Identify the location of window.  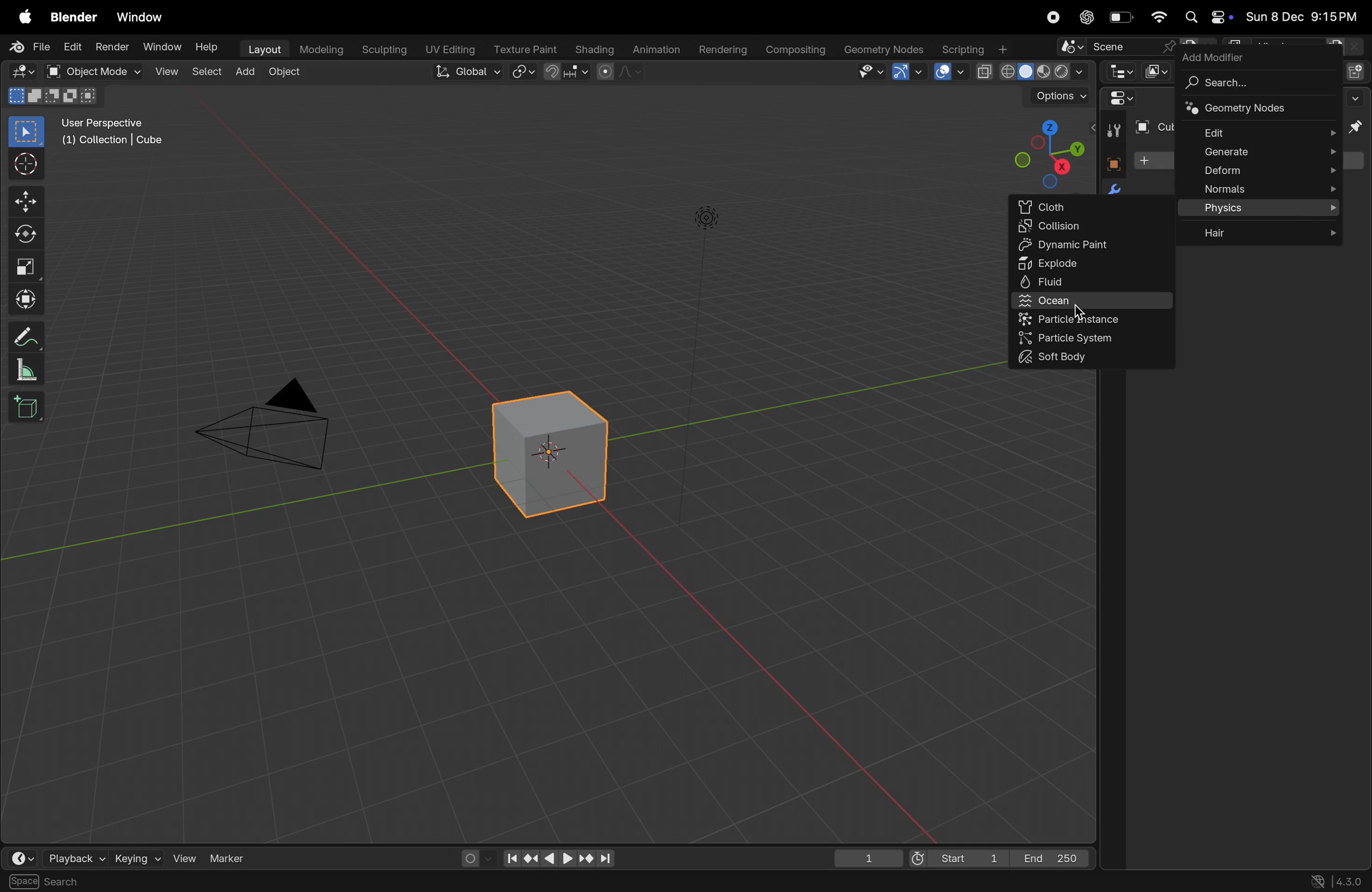
(145, 18).